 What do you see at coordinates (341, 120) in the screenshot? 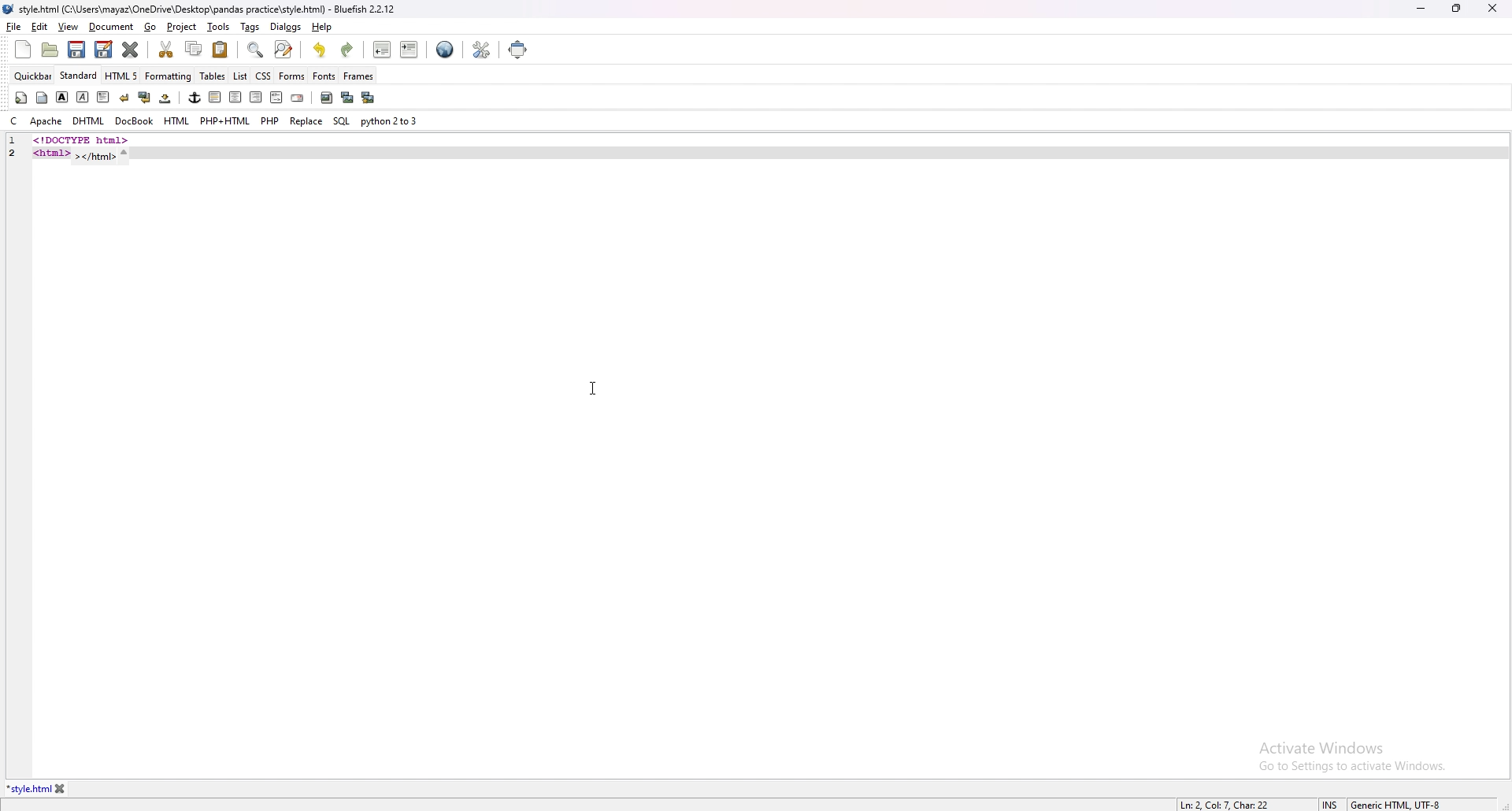
I see `sql` at bounding box center [341, 120].